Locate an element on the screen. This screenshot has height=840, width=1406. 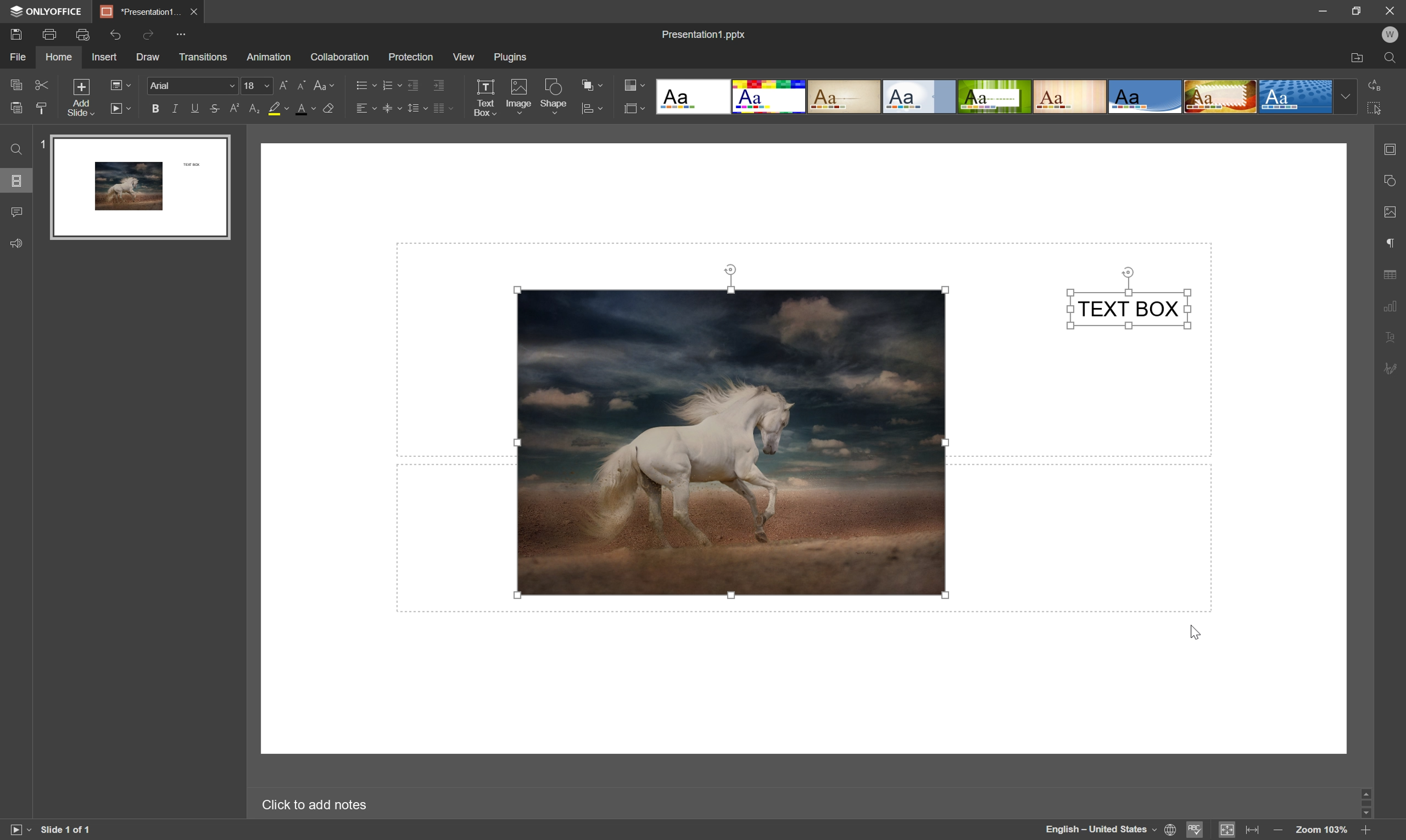
arrange shape is located at coordinates (593, 84).